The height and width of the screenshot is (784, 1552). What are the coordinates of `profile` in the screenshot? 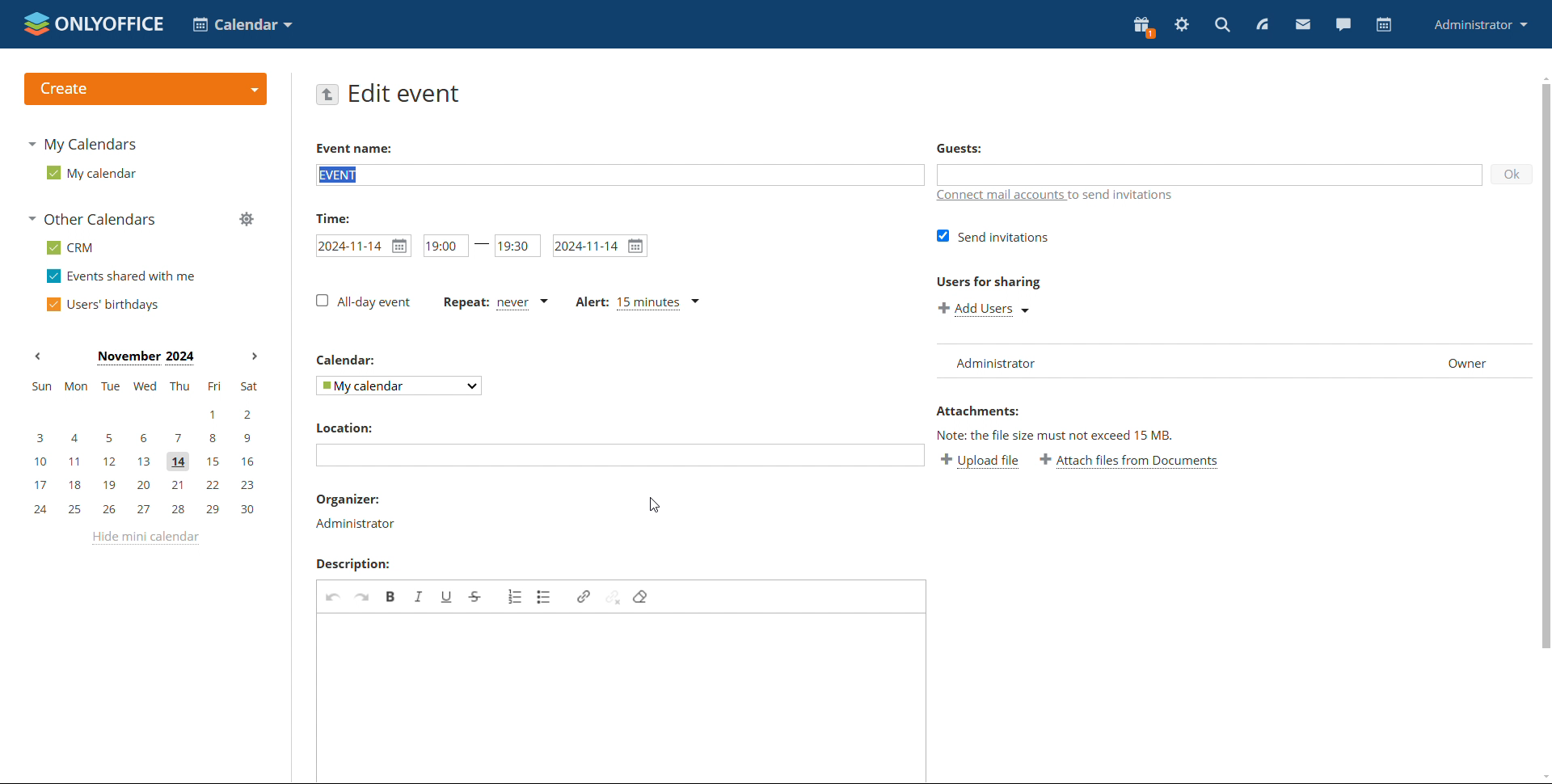 It's located at (1478, 26).